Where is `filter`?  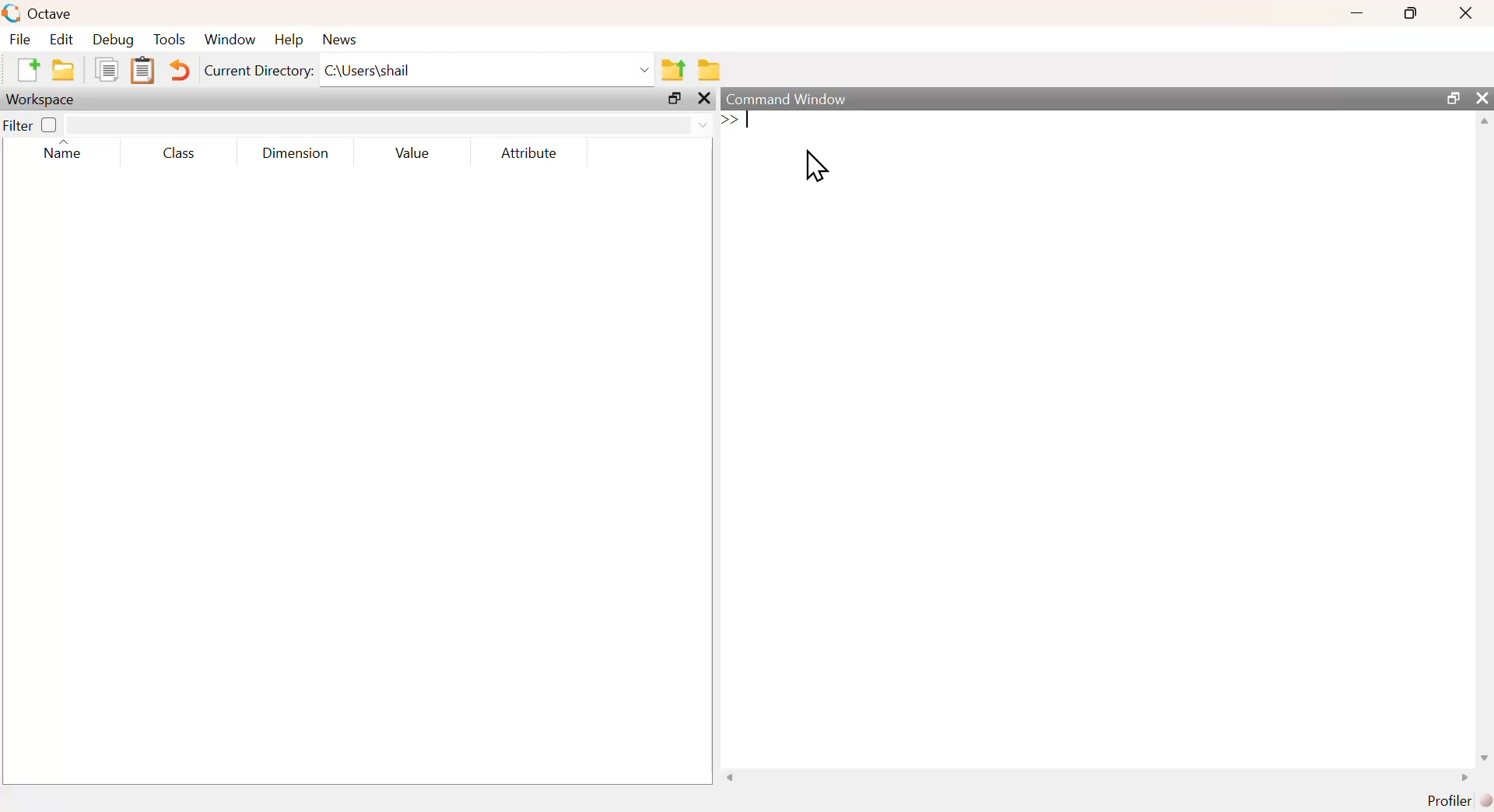 filter is located at coordinates (390, 124).